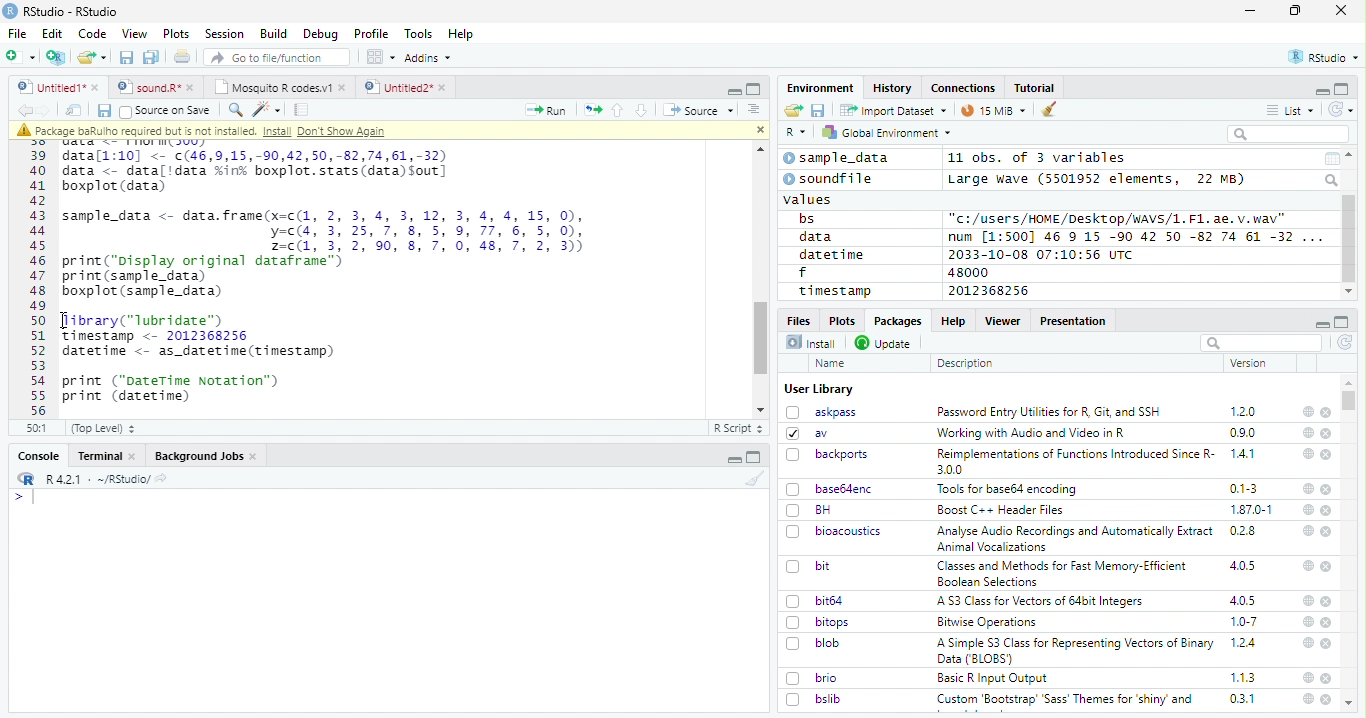 The image size is (1366, 718). What do you see at coordinates (57, 88) in the screenshot?
I see `Untitled1*` at bounding box center [57, 88].